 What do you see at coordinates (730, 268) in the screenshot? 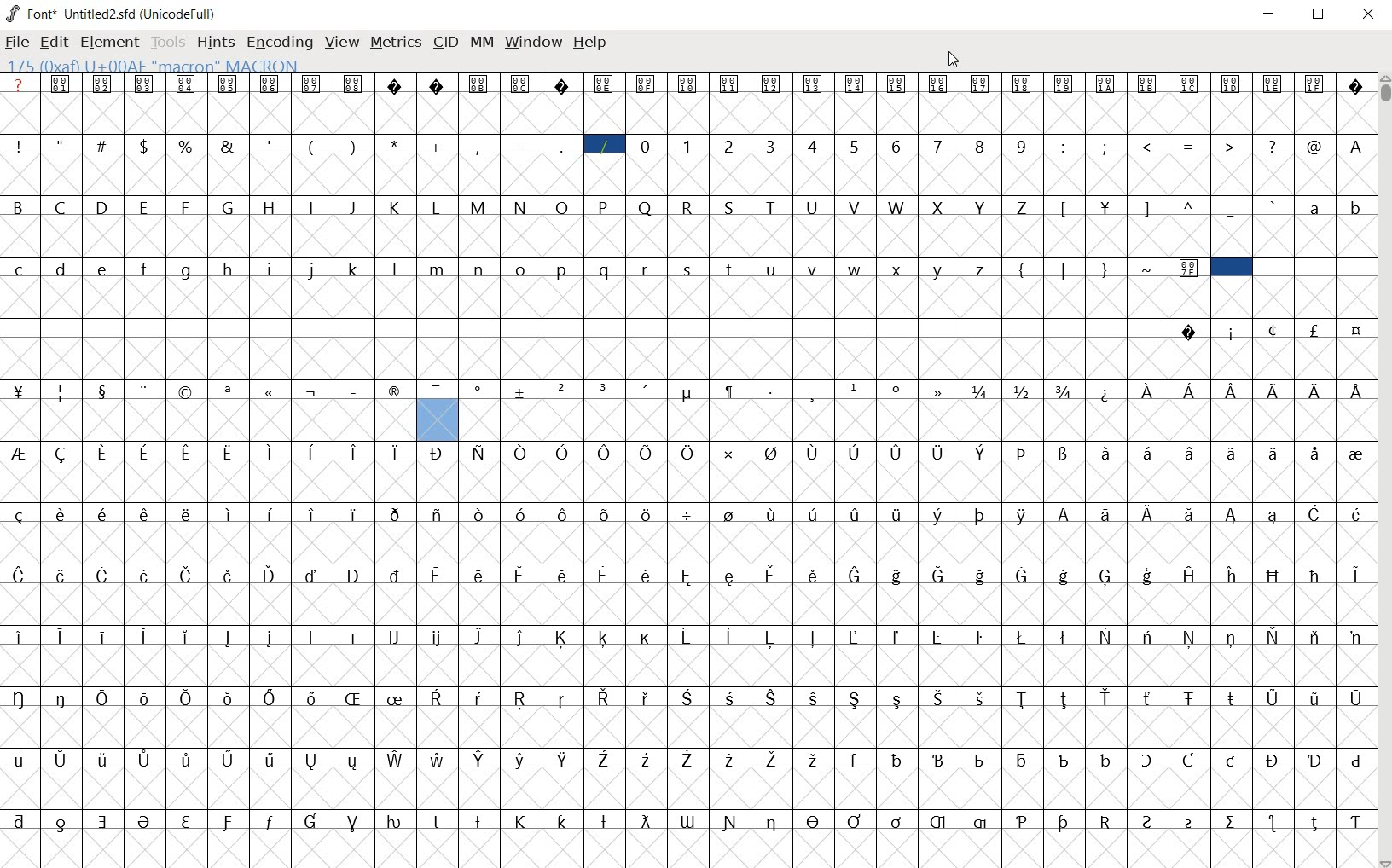
I see `t` at bounding box center [730, 268].